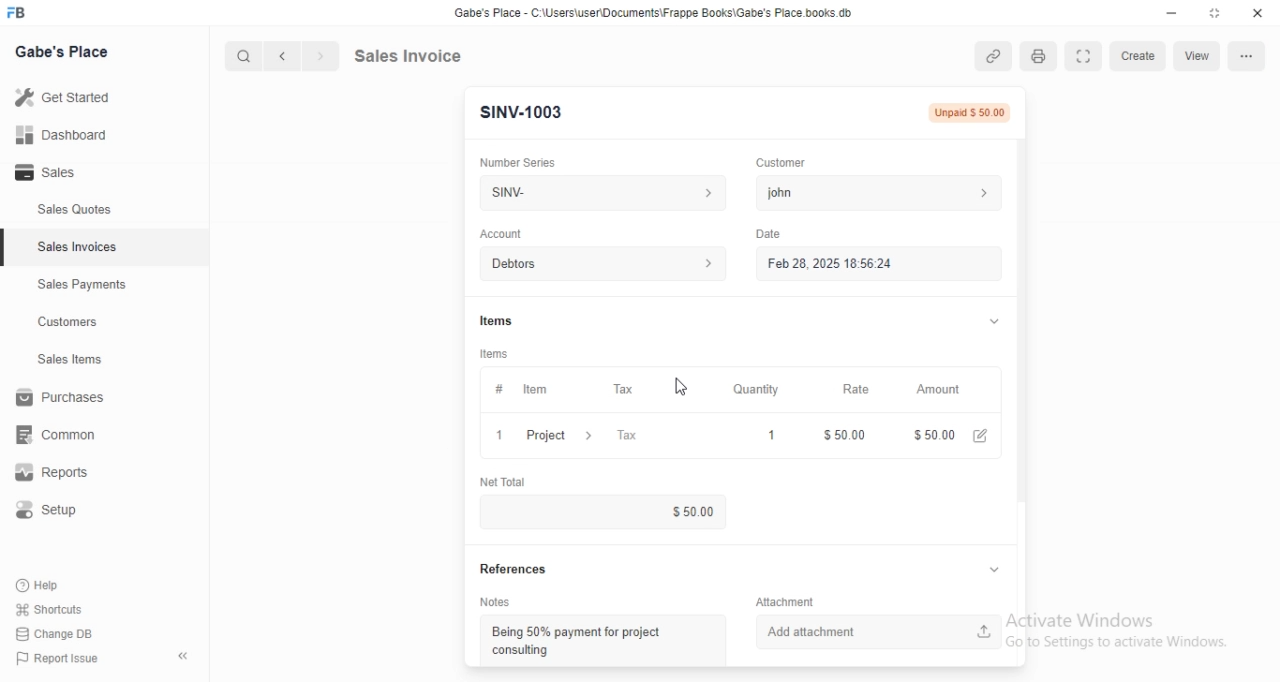  I want to click on Account, so click(607, 264).